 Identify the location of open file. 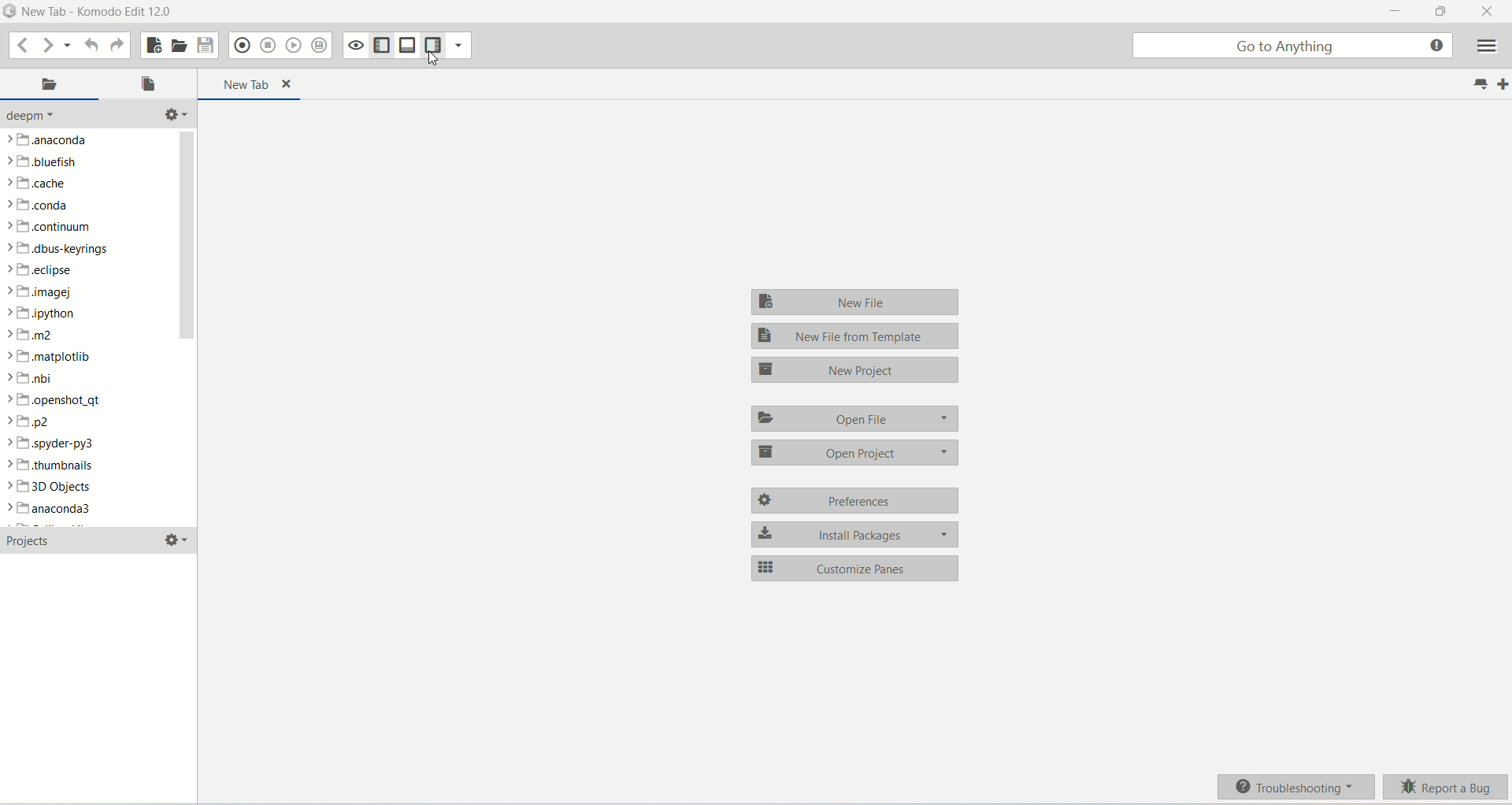
(148, 86).